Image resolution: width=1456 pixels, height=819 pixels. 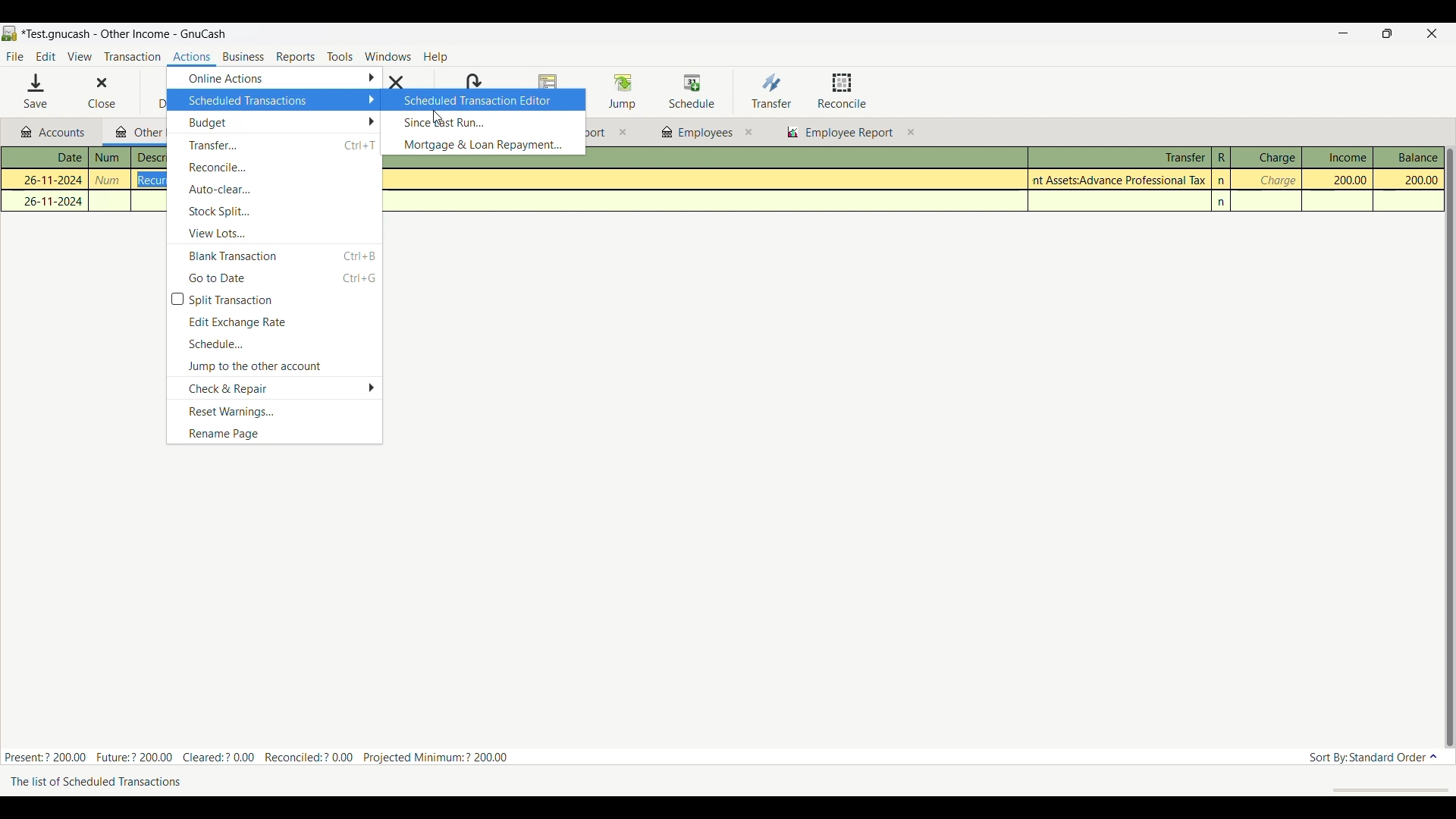 What do you see at coordinates (274, 78) in the screenshot?
I see `Online actions options` at bounding box center [274, 78].